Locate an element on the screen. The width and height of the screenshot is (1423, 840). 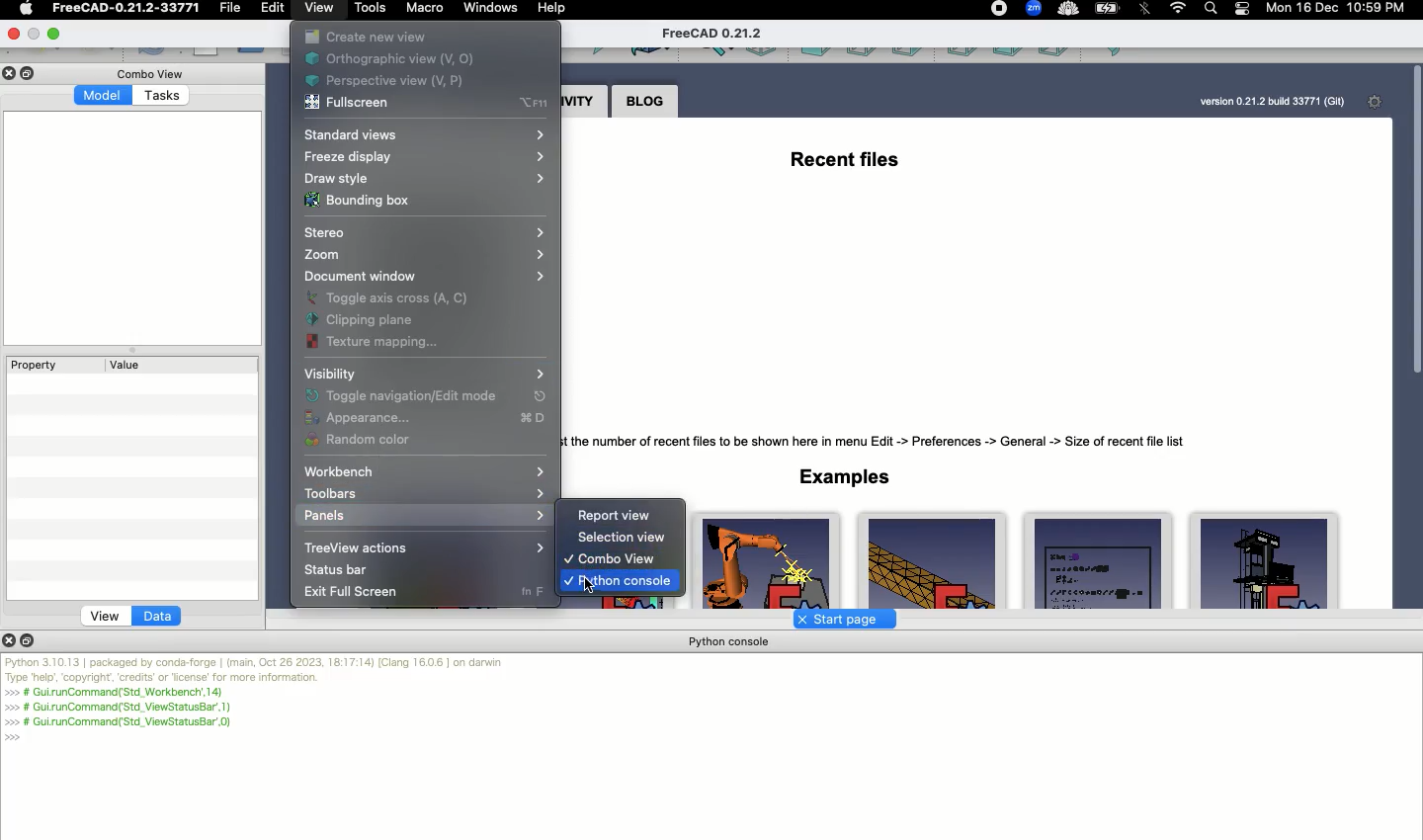
Workbench is located at coordinates (426, 472).